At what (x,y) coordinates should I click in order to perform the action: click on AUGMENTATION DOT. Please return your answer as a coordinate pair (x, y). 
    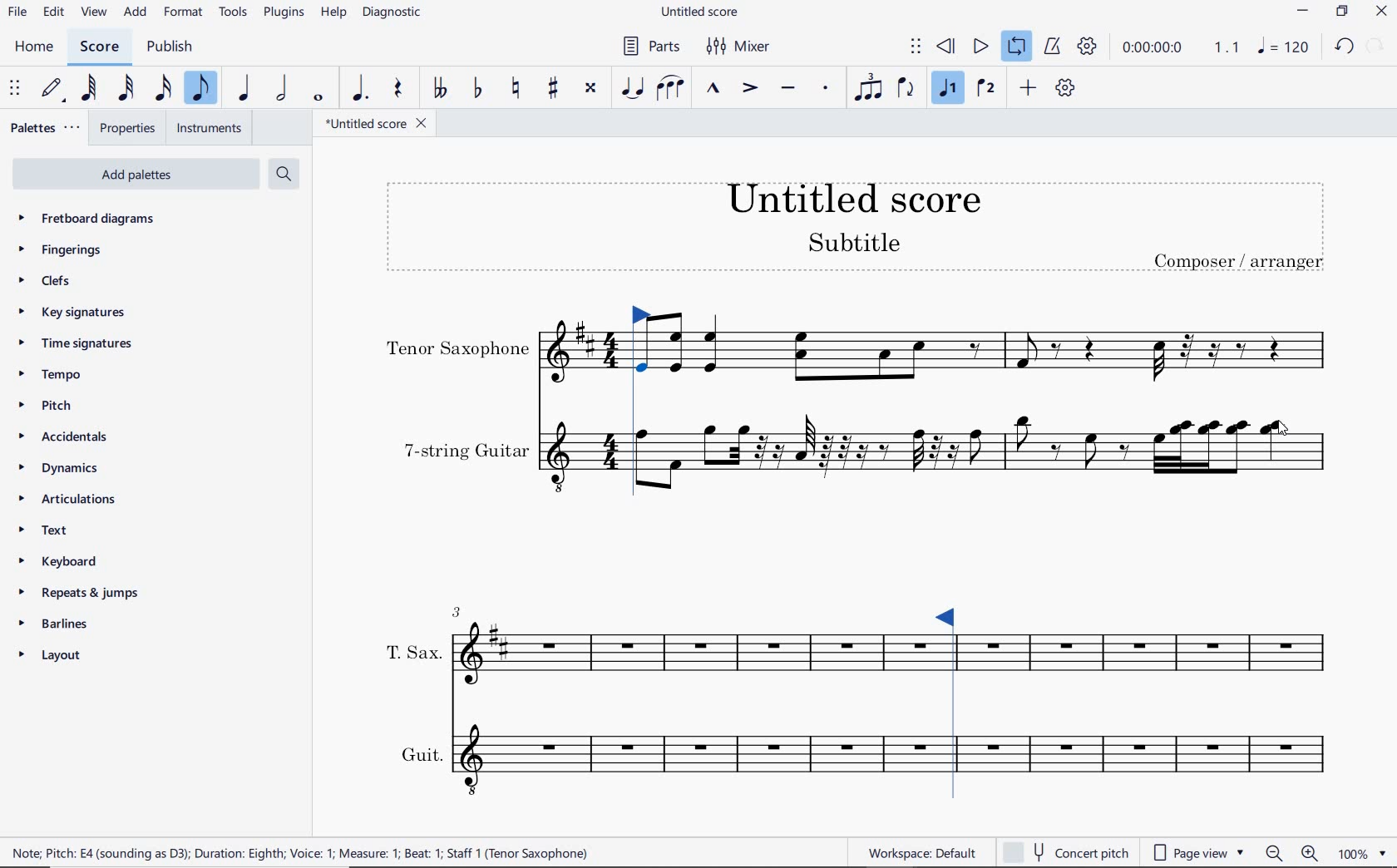
    Looking at the image, I should click on (361, 89).